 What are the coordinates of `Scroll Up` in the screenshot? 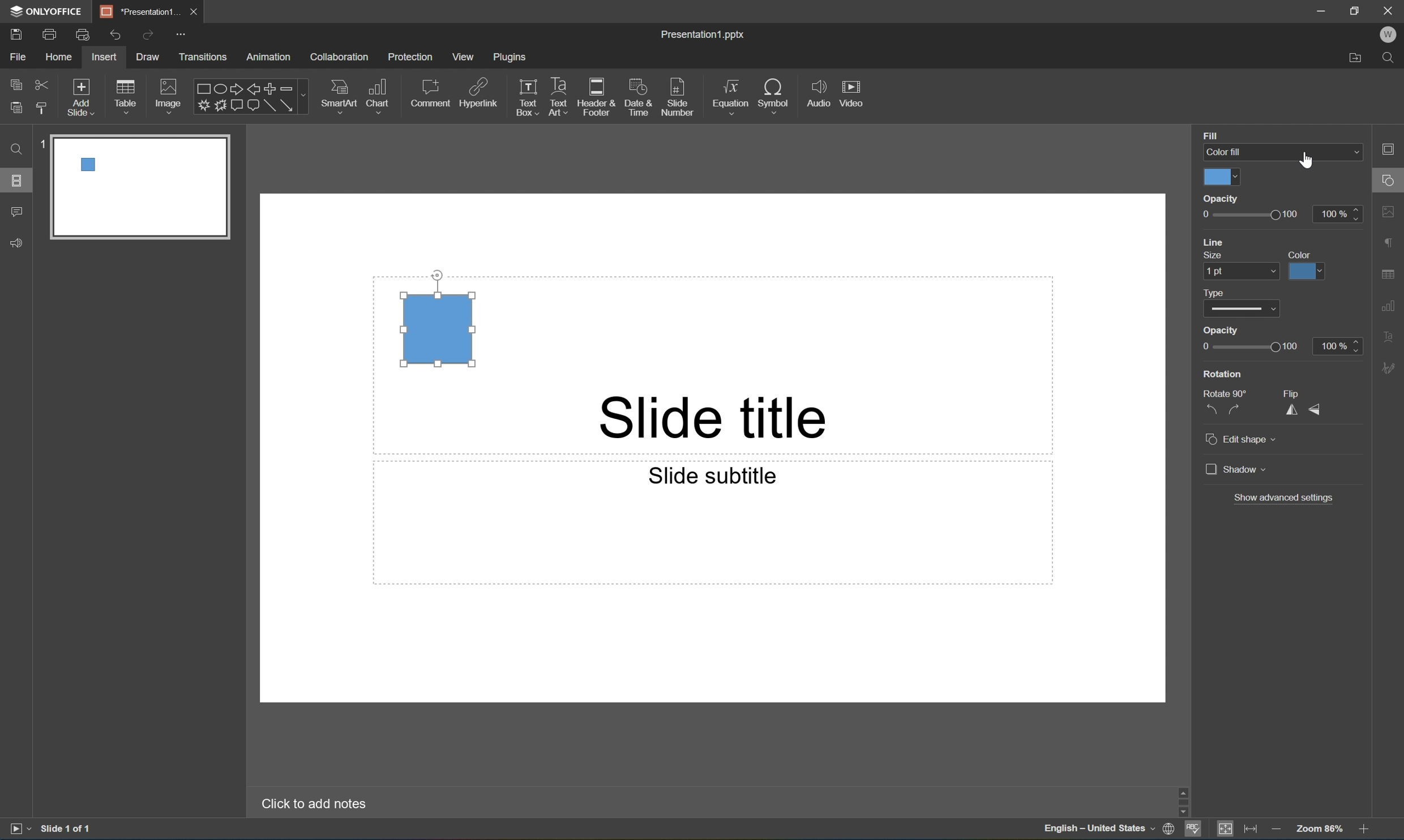 It's located at (1364, 788).